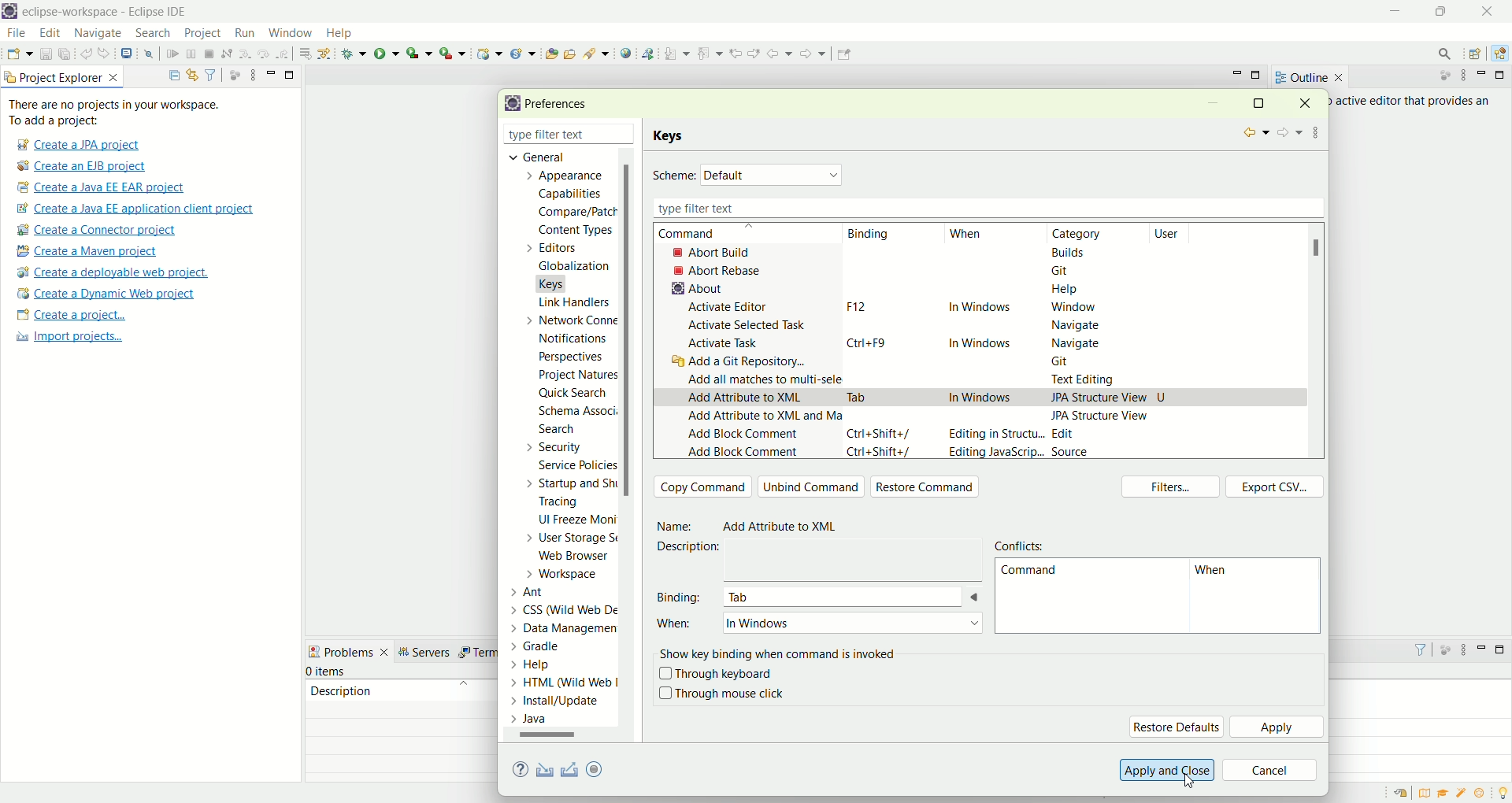 This screenshot has width=1512, height=803. I want to click on view menu, so click(251, 74).